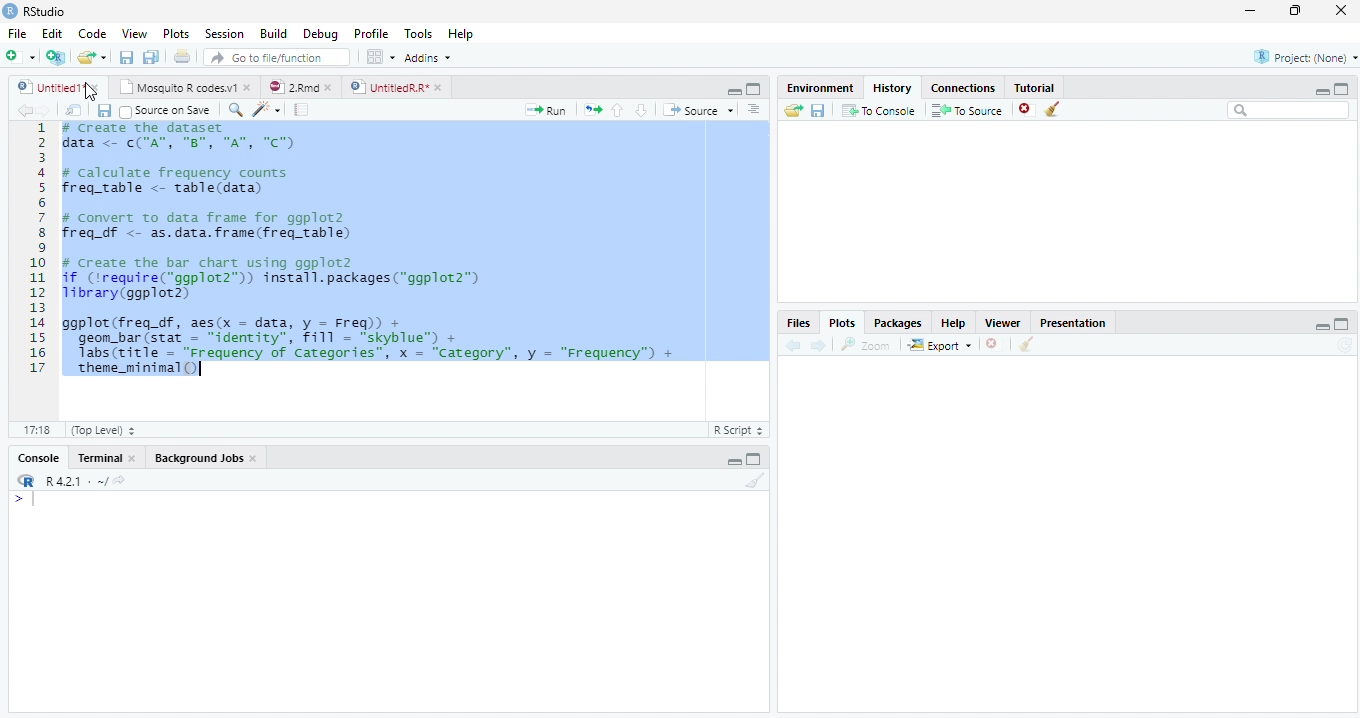  I want to click on New file, so click(20, 56).